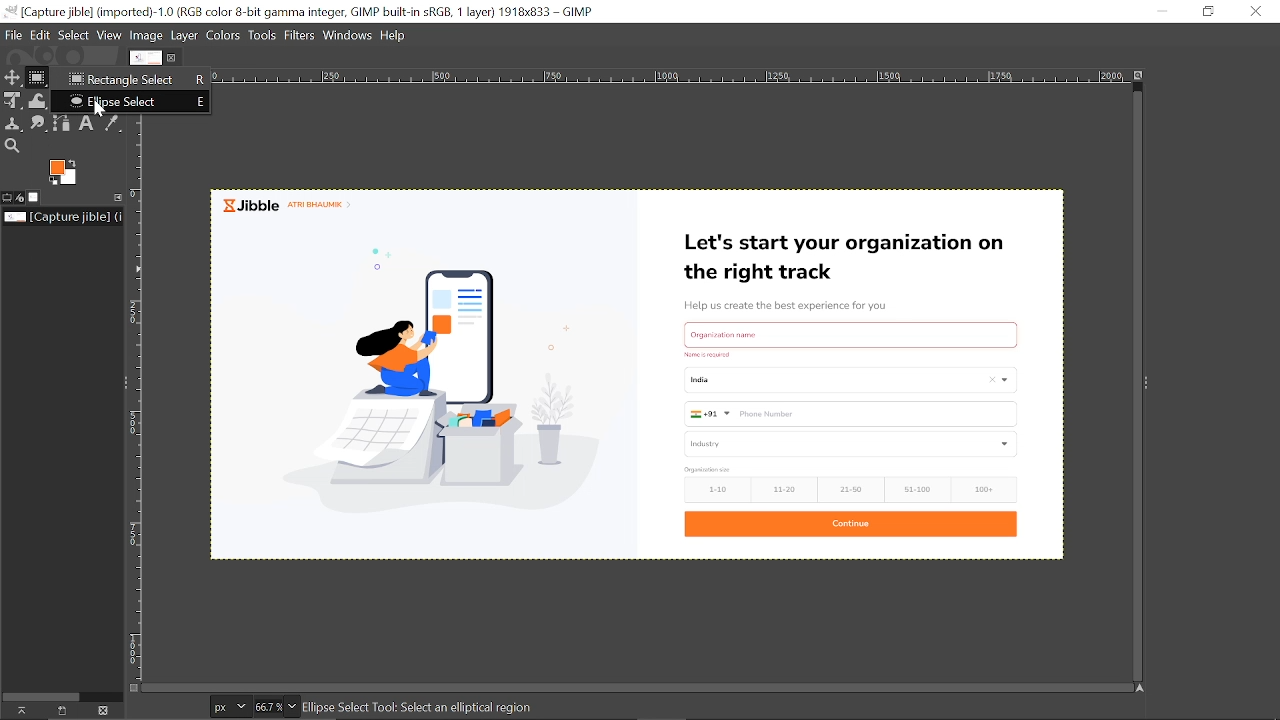 The image size is (1280, 720). I want to click on help, so click(396, 34).